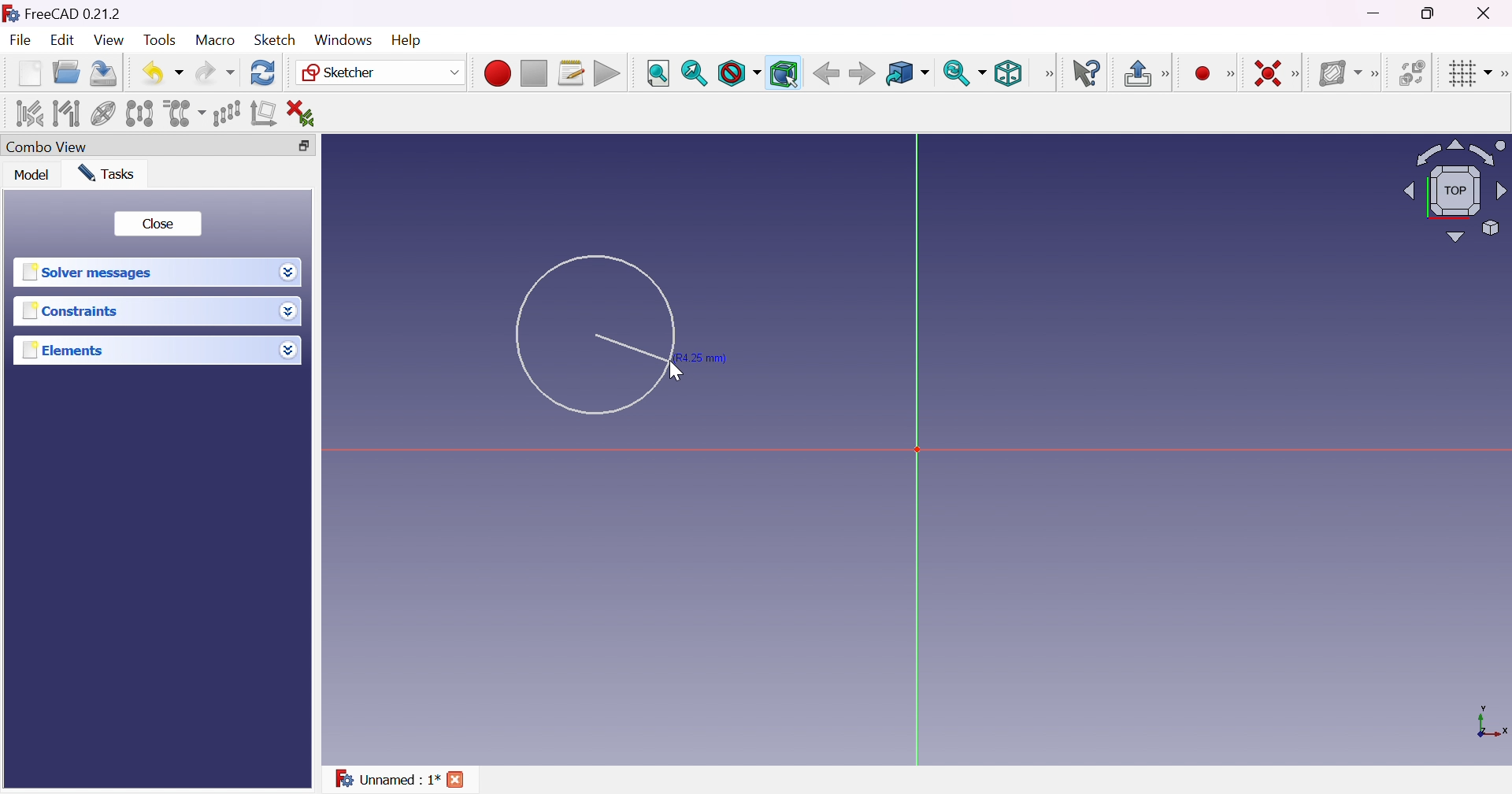  I want to click on Restore down, so click(302, 146).